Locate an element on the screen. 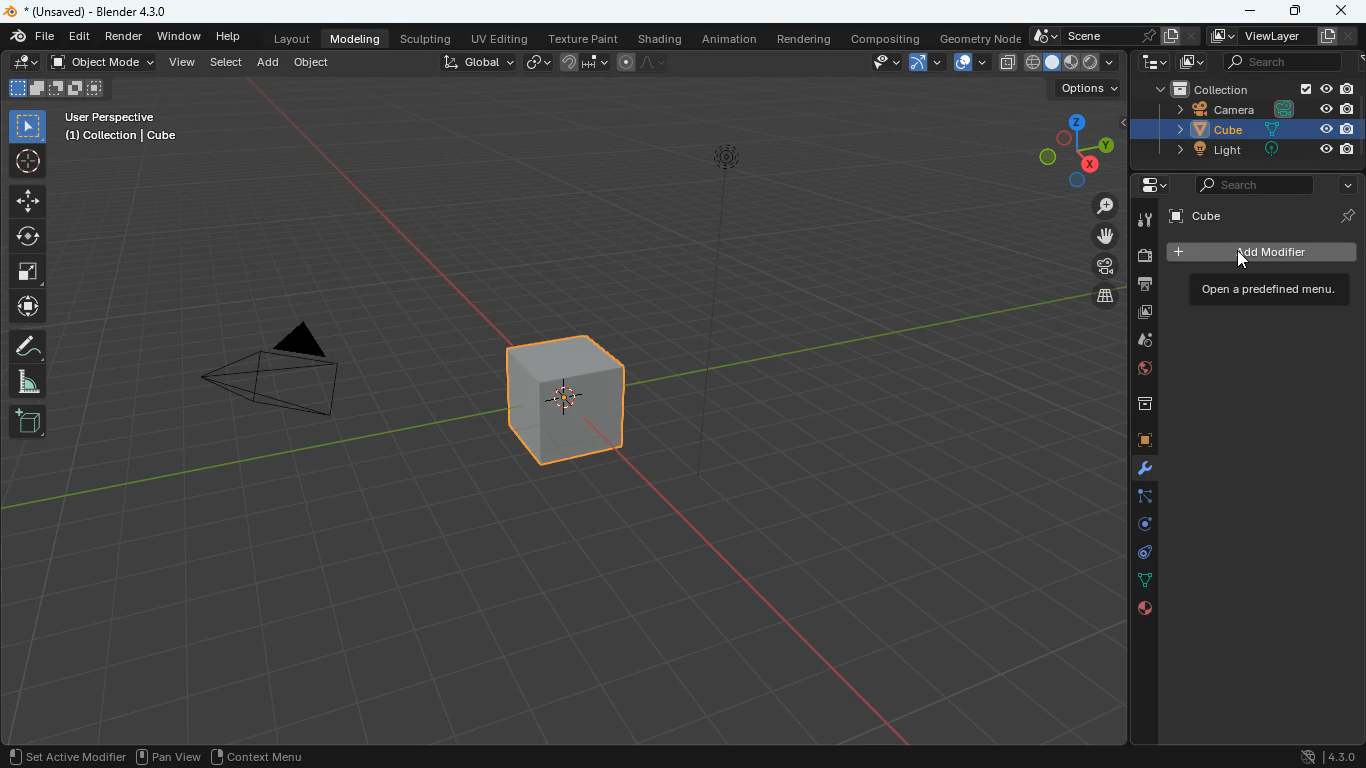 This screenshot has height=768, width=1366. camera is located at coordinates (289, 376).